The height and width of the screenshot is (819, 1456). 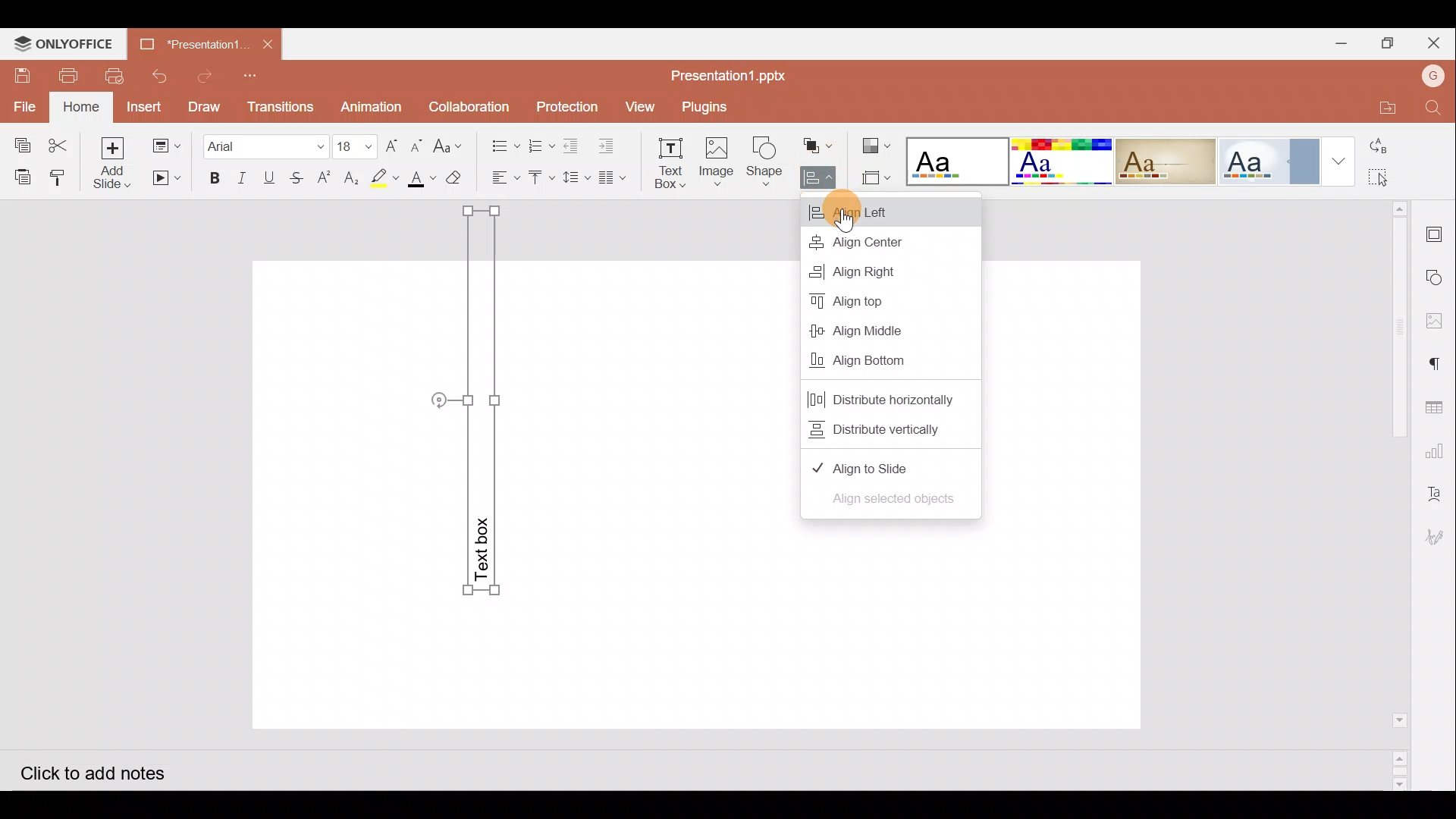 I want to click on Insert Shape, so click(x=764, y=162).